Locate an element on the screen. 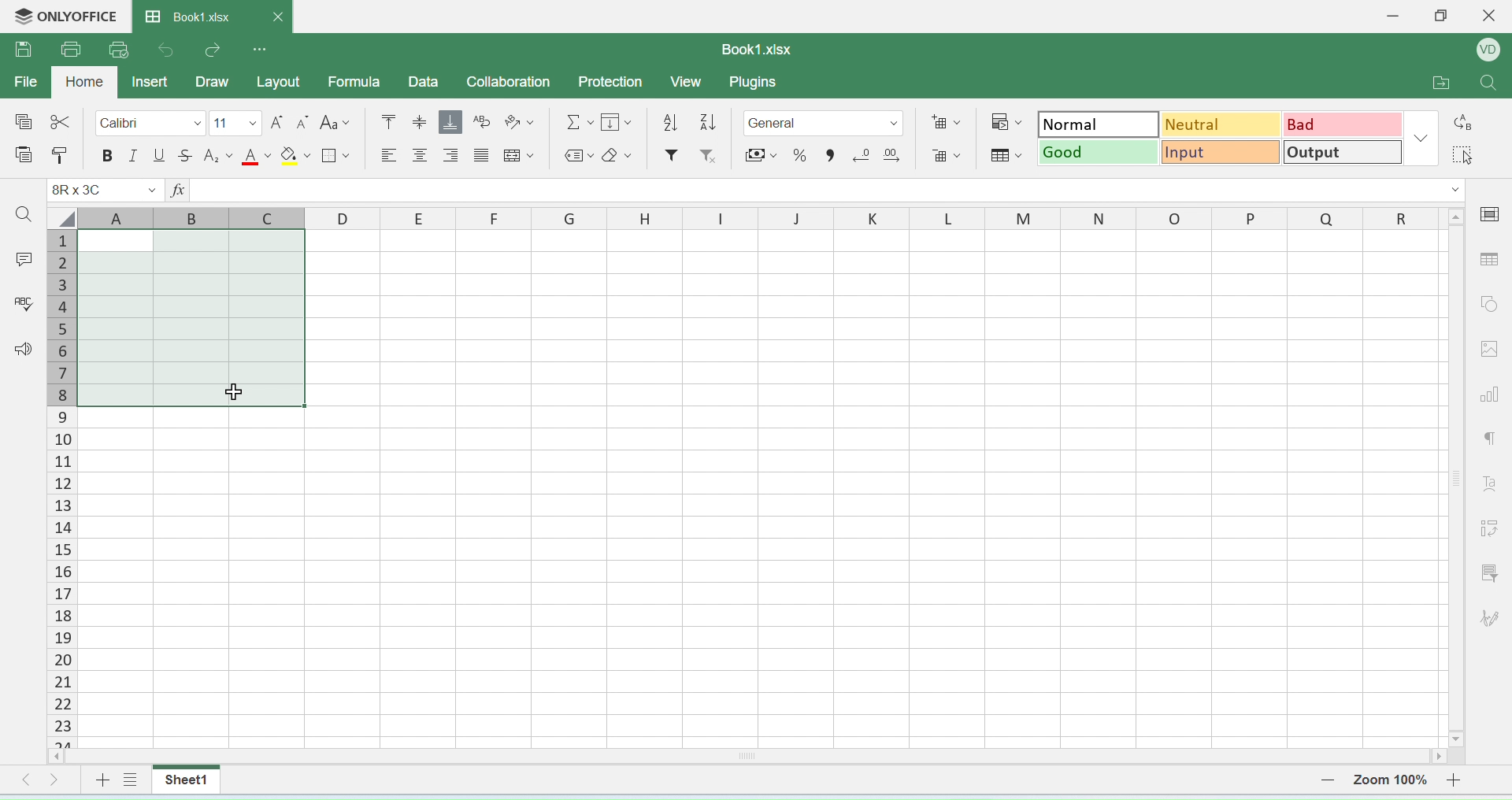 The image size is (1512, 800). replace is located at coordinates (1466, 124).